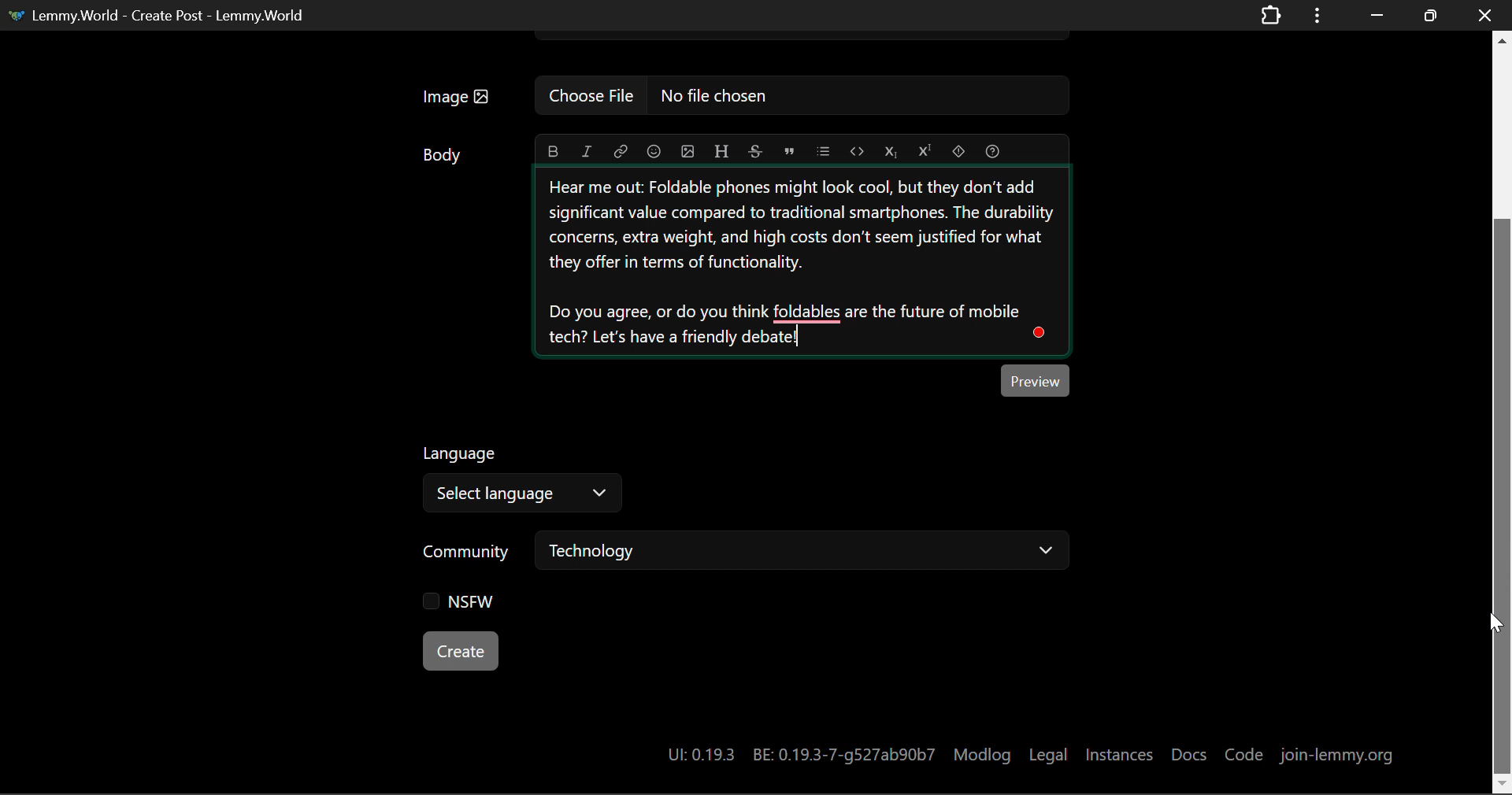  I want to click on Minimize Window, so click(1432, 15).